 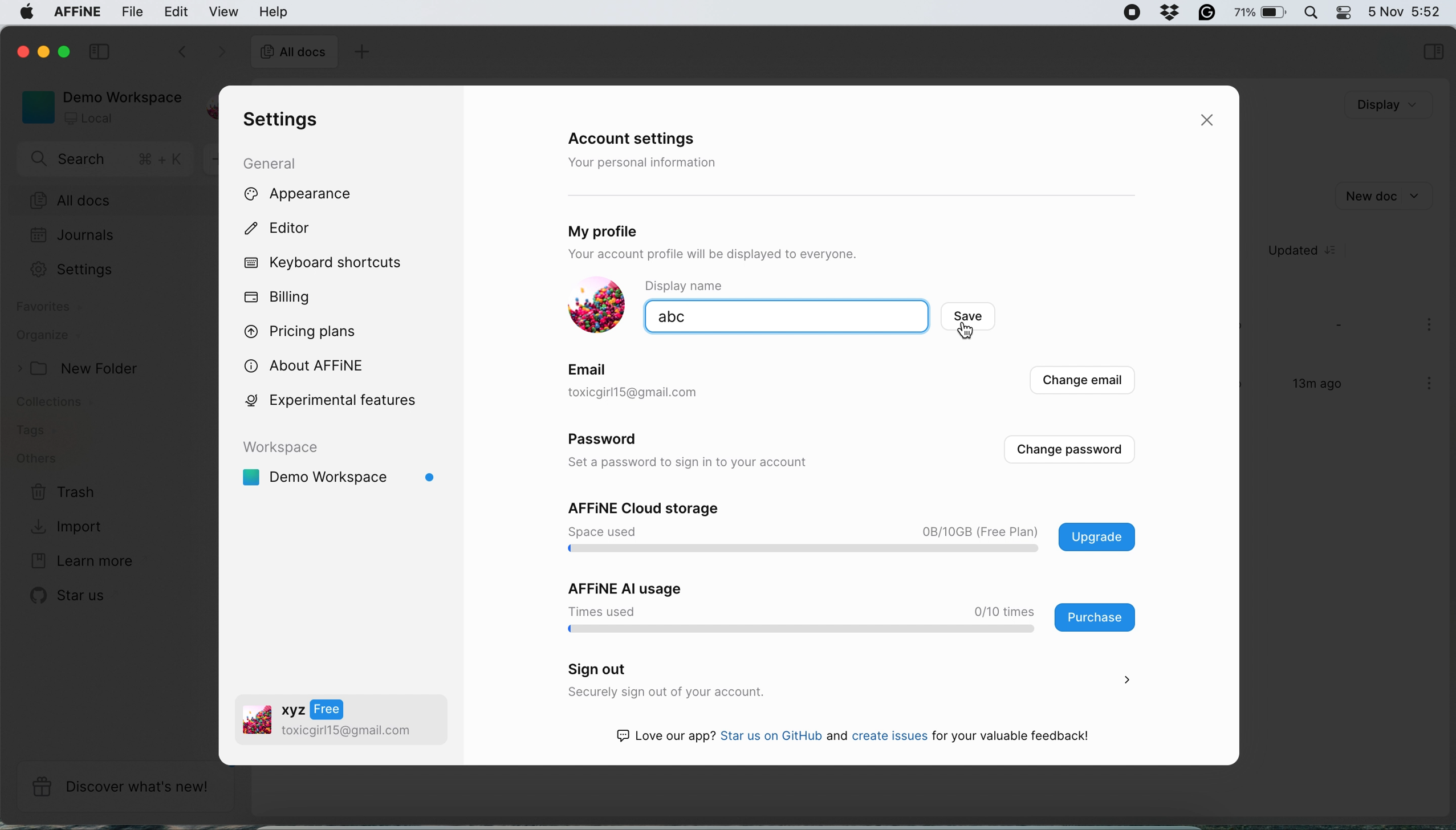 What do you see at coordinates (328, 263) in the screenshot?
I see `keyboard shortcuts` at bounding box center [328, 263].